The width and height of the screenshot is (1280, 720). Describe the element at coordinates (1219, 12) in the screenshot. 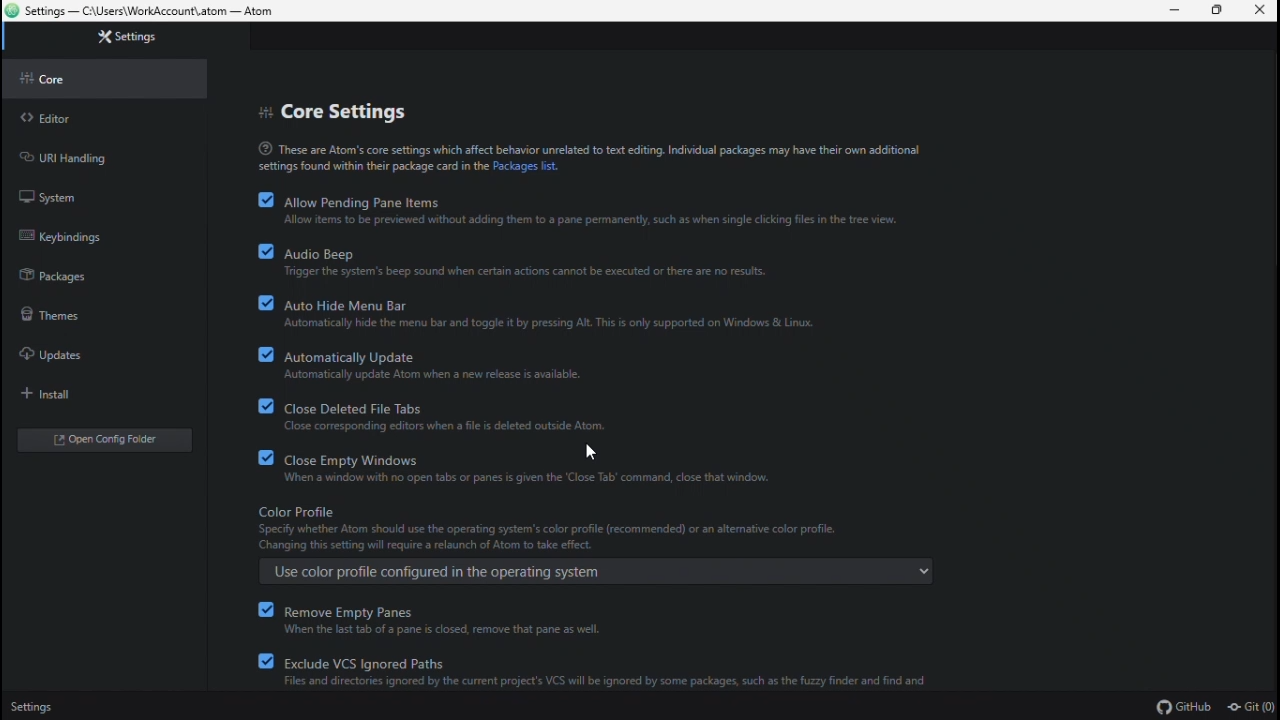

I see `Restore` at that location.